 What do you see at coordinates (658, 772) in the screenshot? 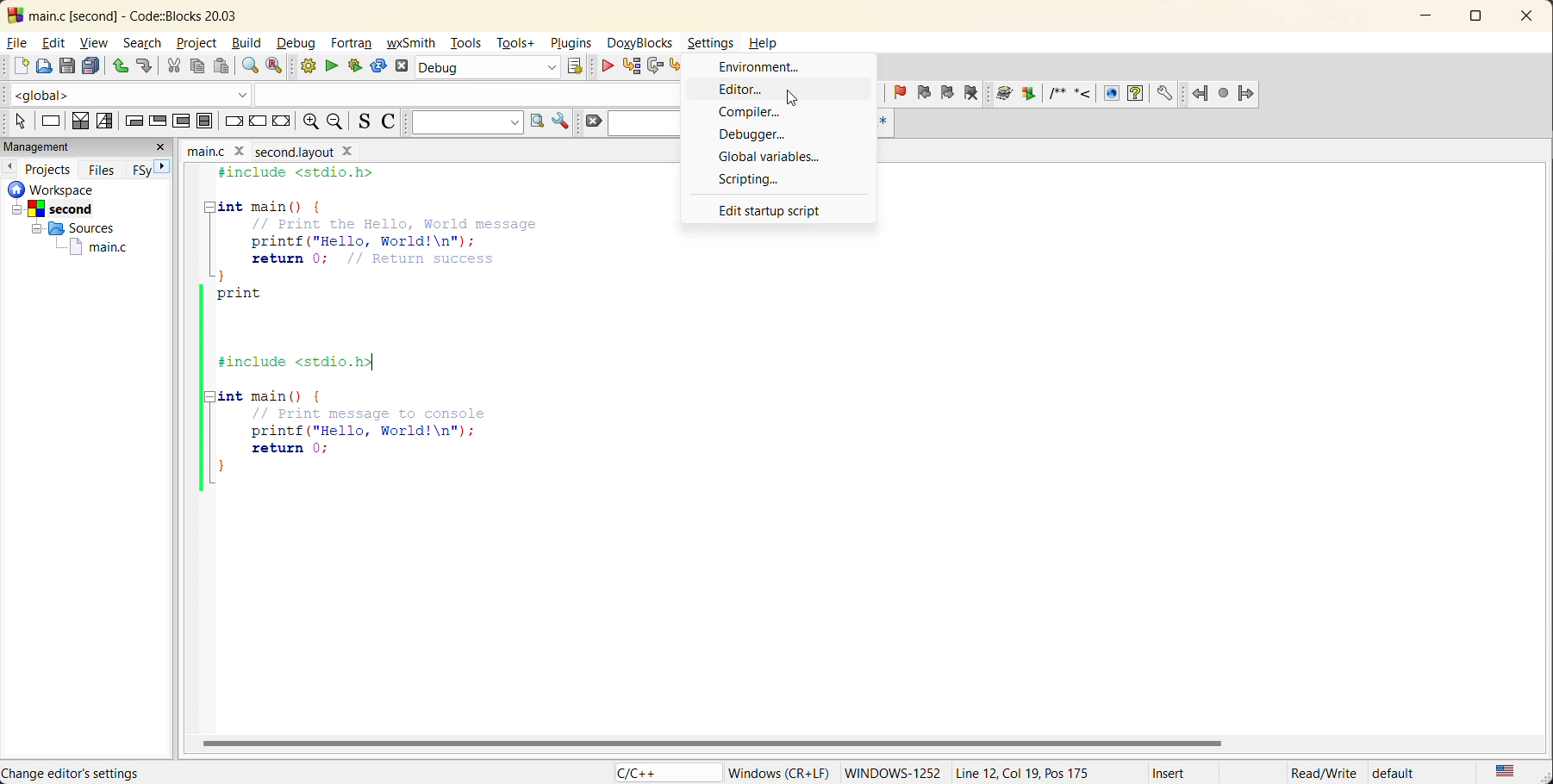
I see `language` at bounding box center [658, 772].